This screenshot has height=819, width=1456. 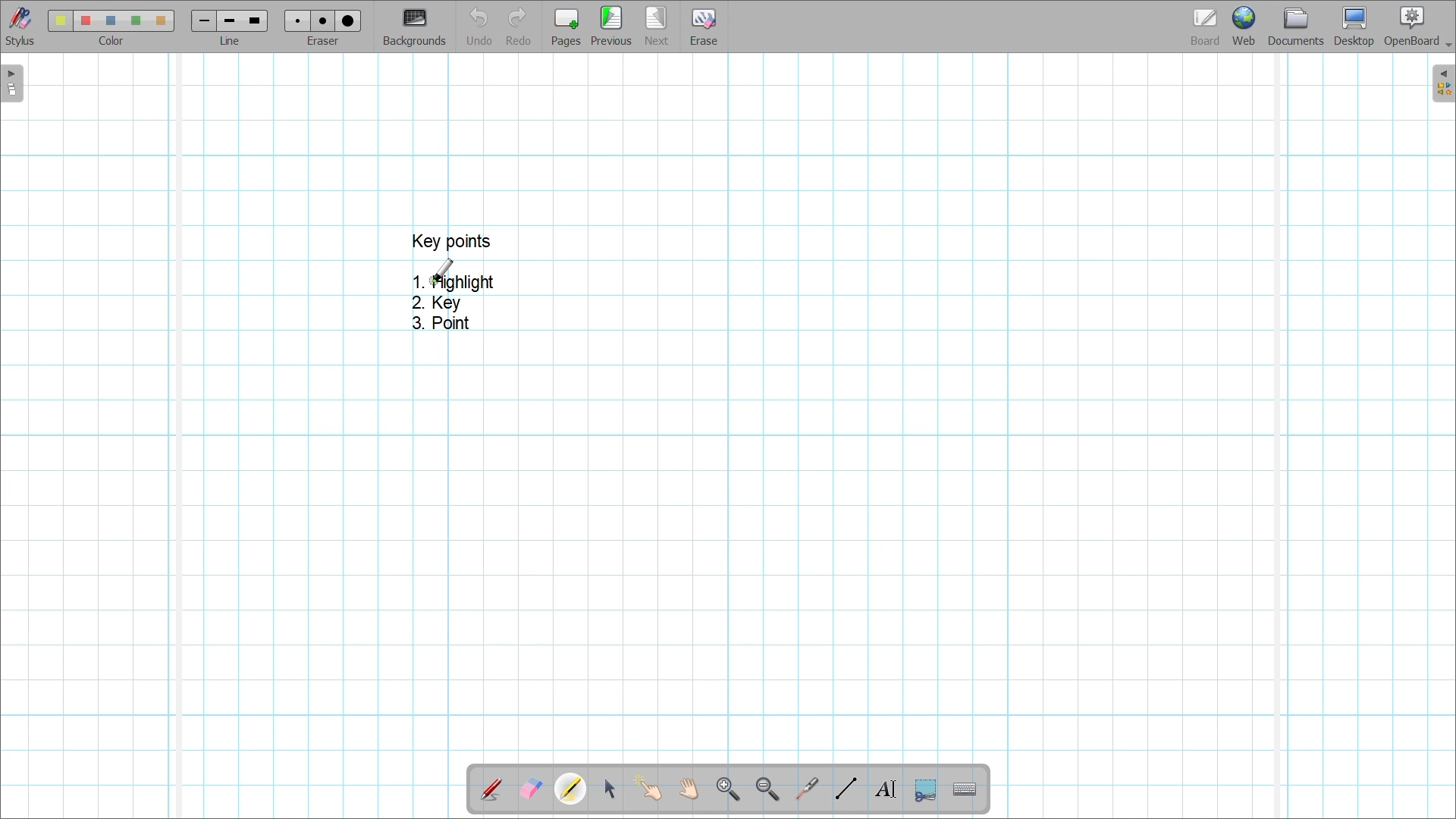 What do you see at coordinates (60, 20) in the screenshot?
I see `Color 1` at bounding box center [60, 20].